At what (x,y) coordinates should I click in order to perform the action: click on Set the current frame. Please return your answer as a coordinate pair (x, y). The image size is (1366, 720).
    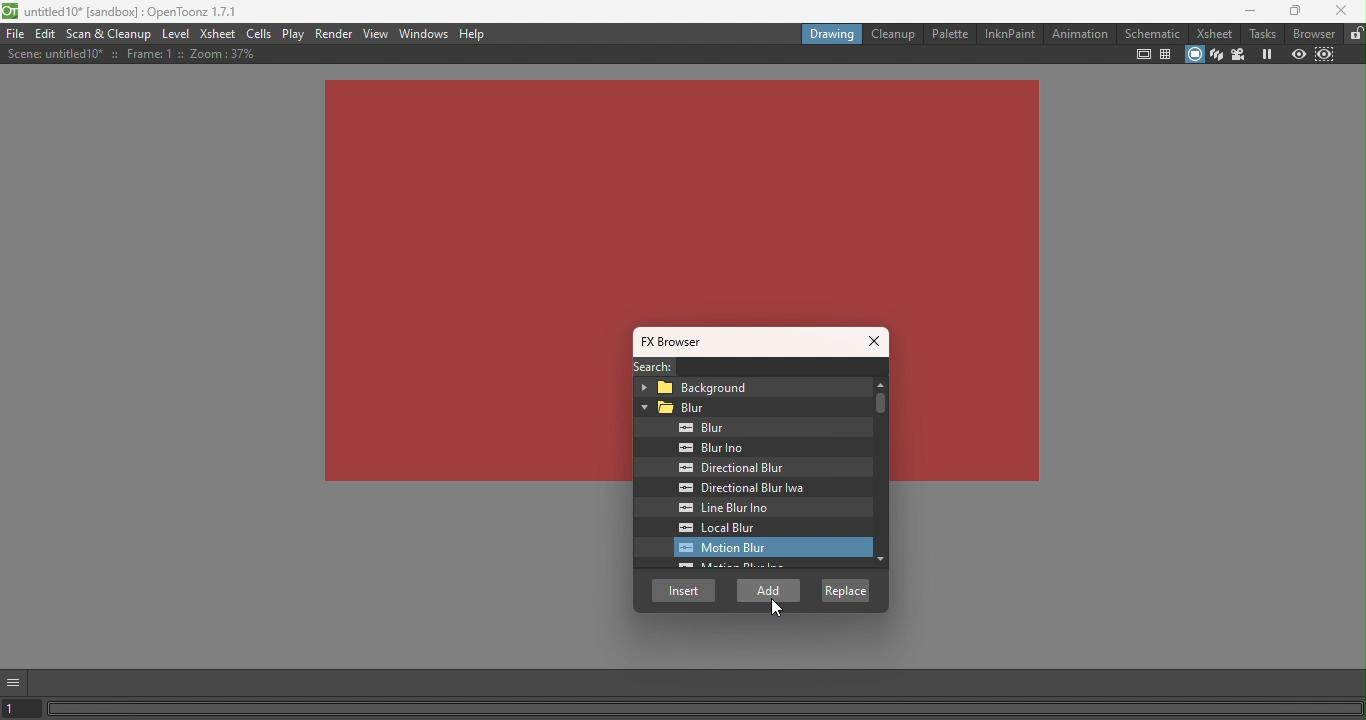
    Looking at the image, I should click on (21, 710).